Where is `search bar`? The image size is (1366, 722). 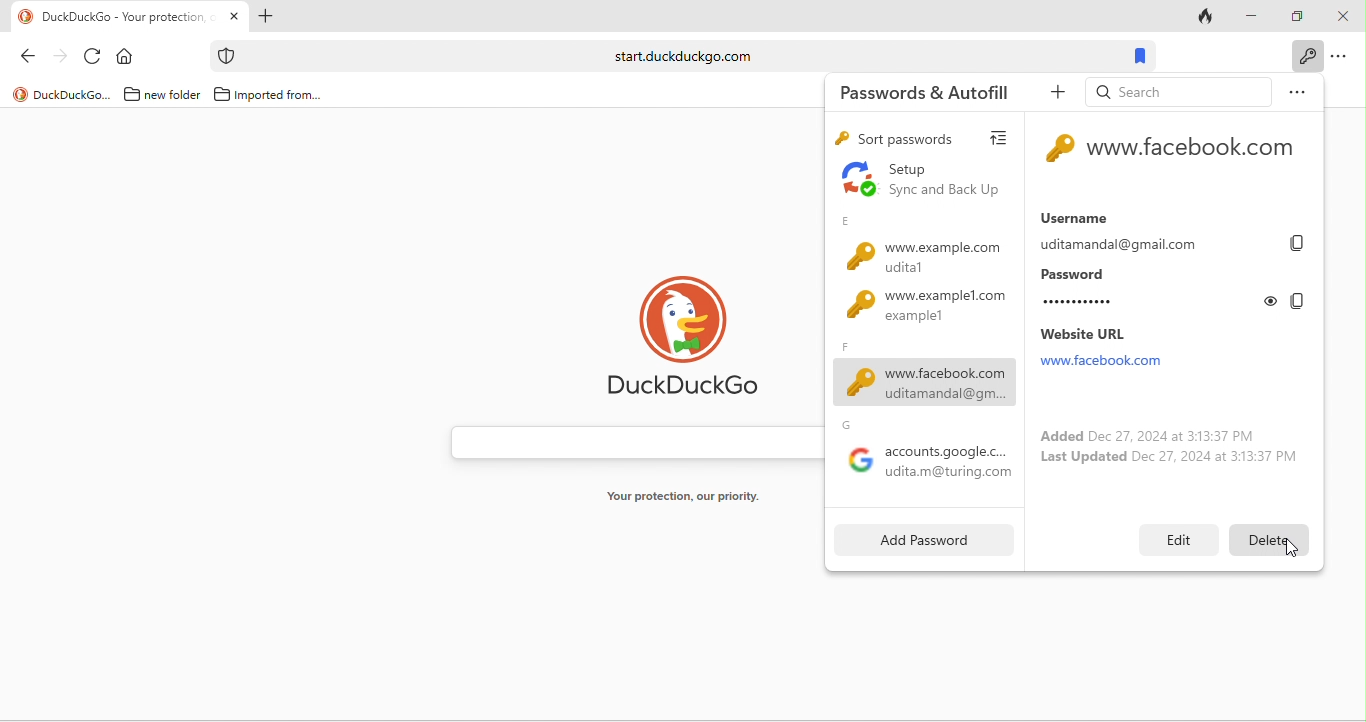 search bar is located at coordinates (631, 442).